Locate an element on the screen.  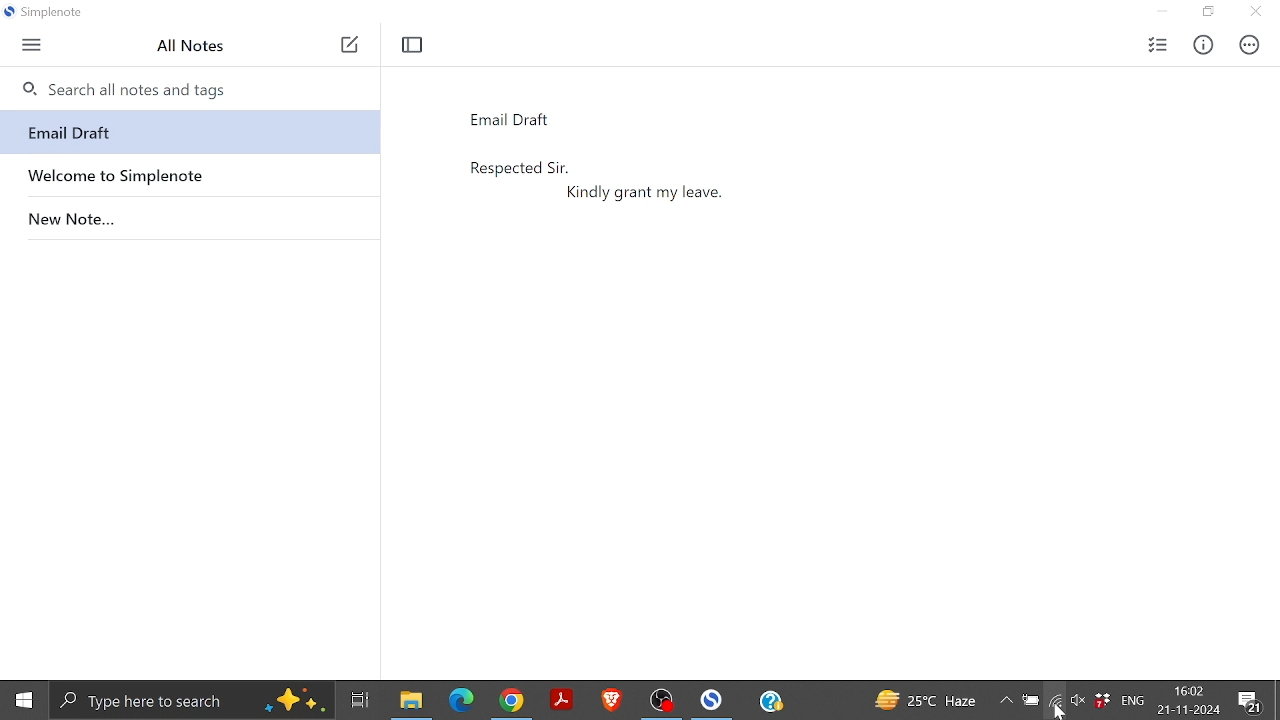
Restore down is located at coordinates (1209, 12).